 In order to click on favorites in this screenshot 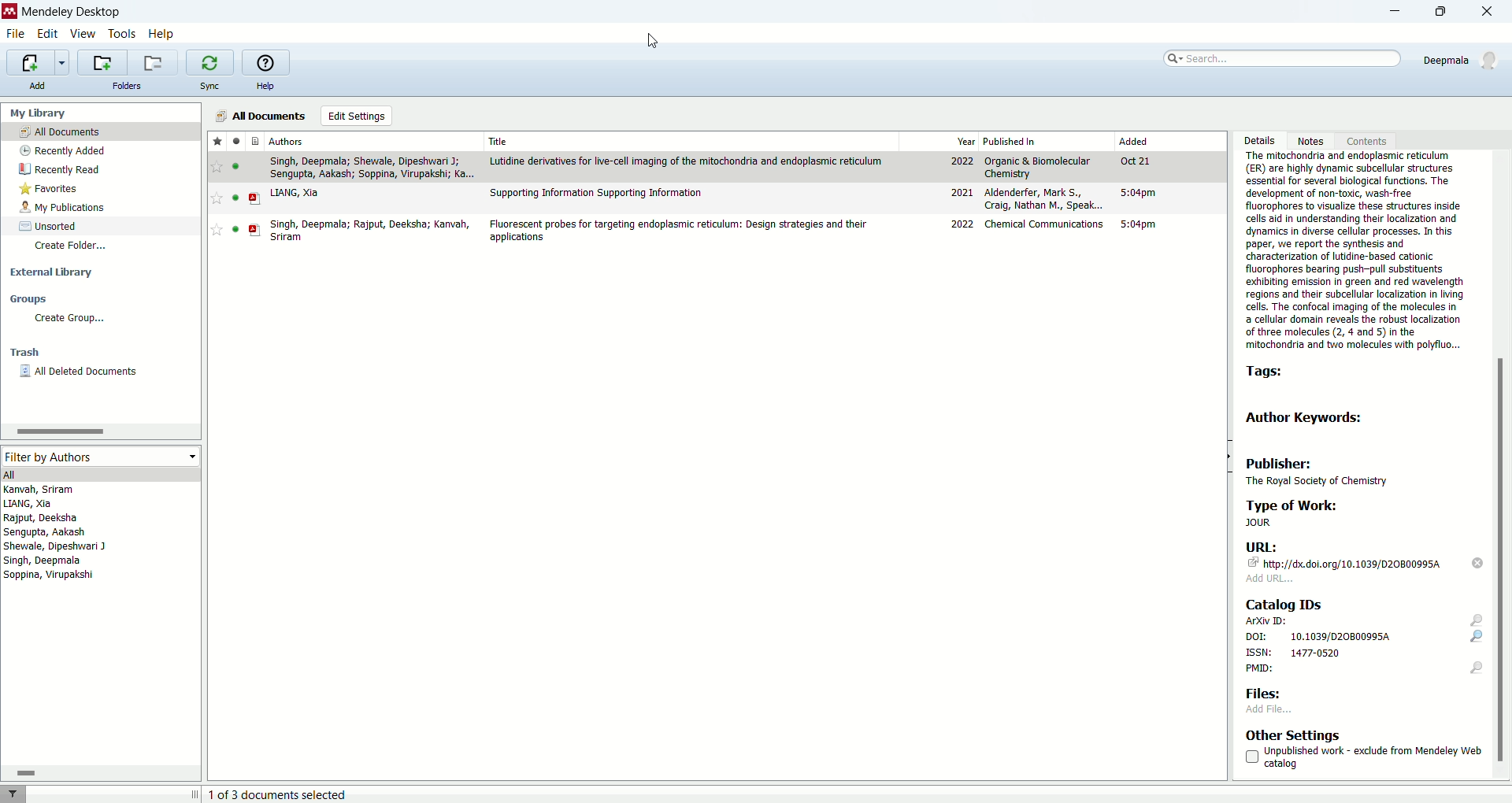, I will do `click(217, 140)`.